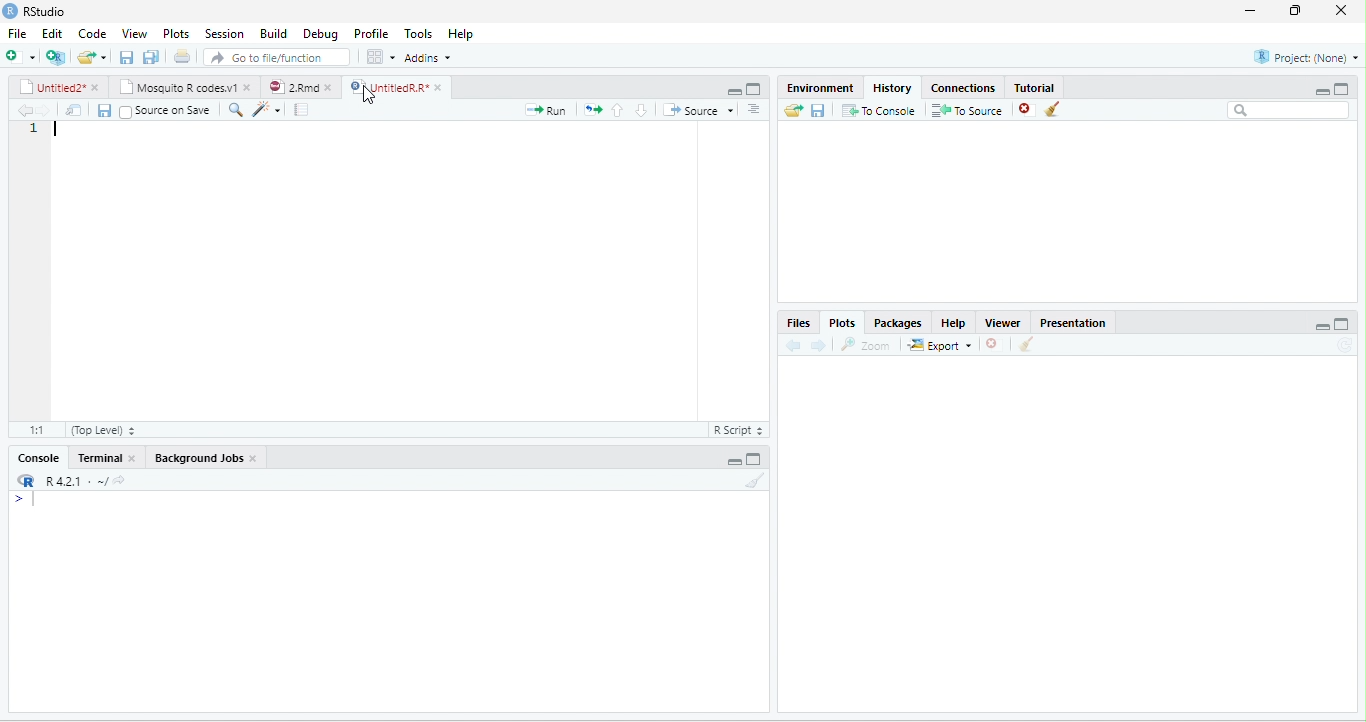 The image size is (1366, 722). I want to click on minimize, so click(1313, 89).